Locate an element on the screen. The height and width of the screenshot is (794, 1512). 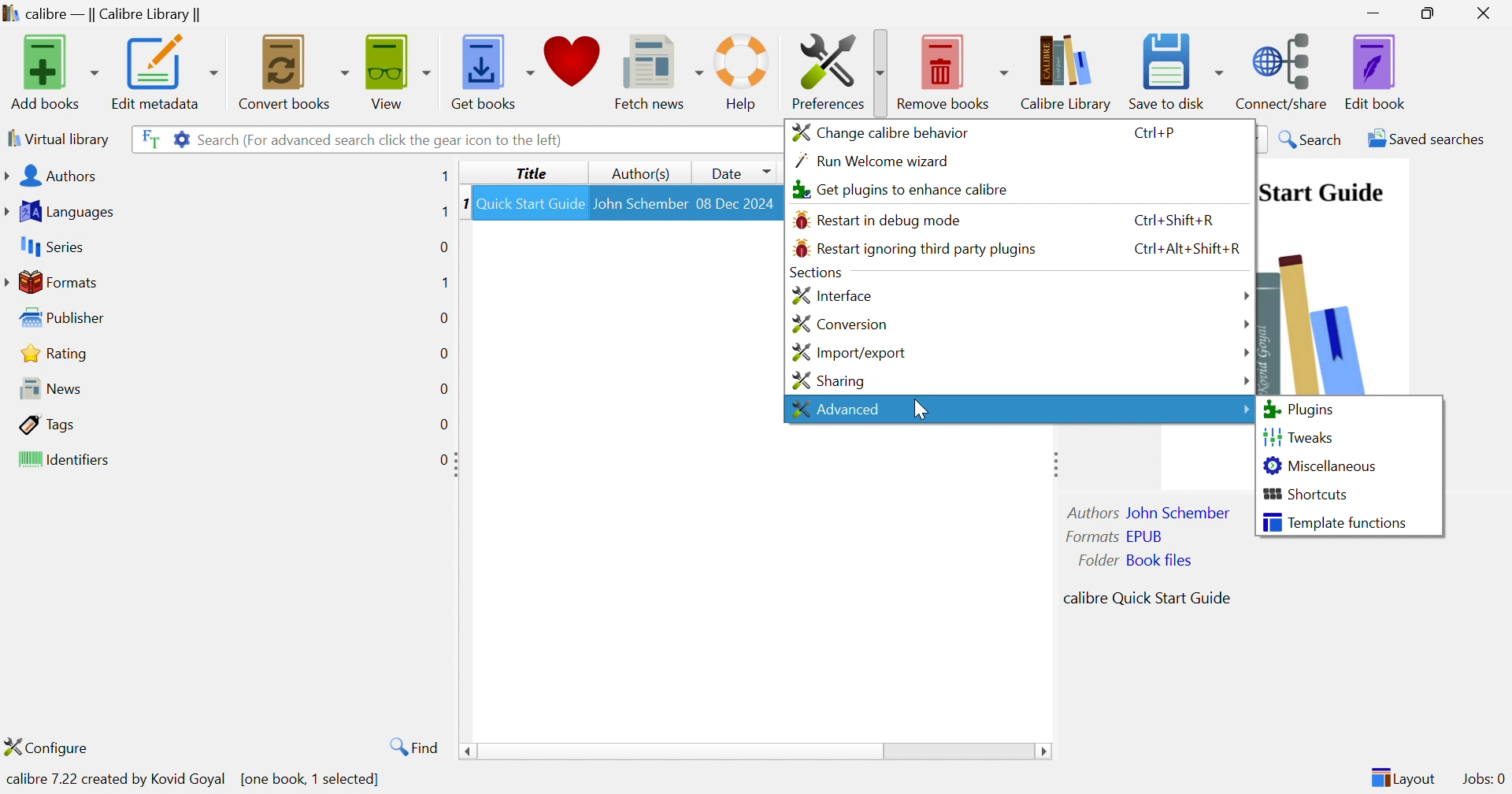
1 is located at coordinates (444, 176).